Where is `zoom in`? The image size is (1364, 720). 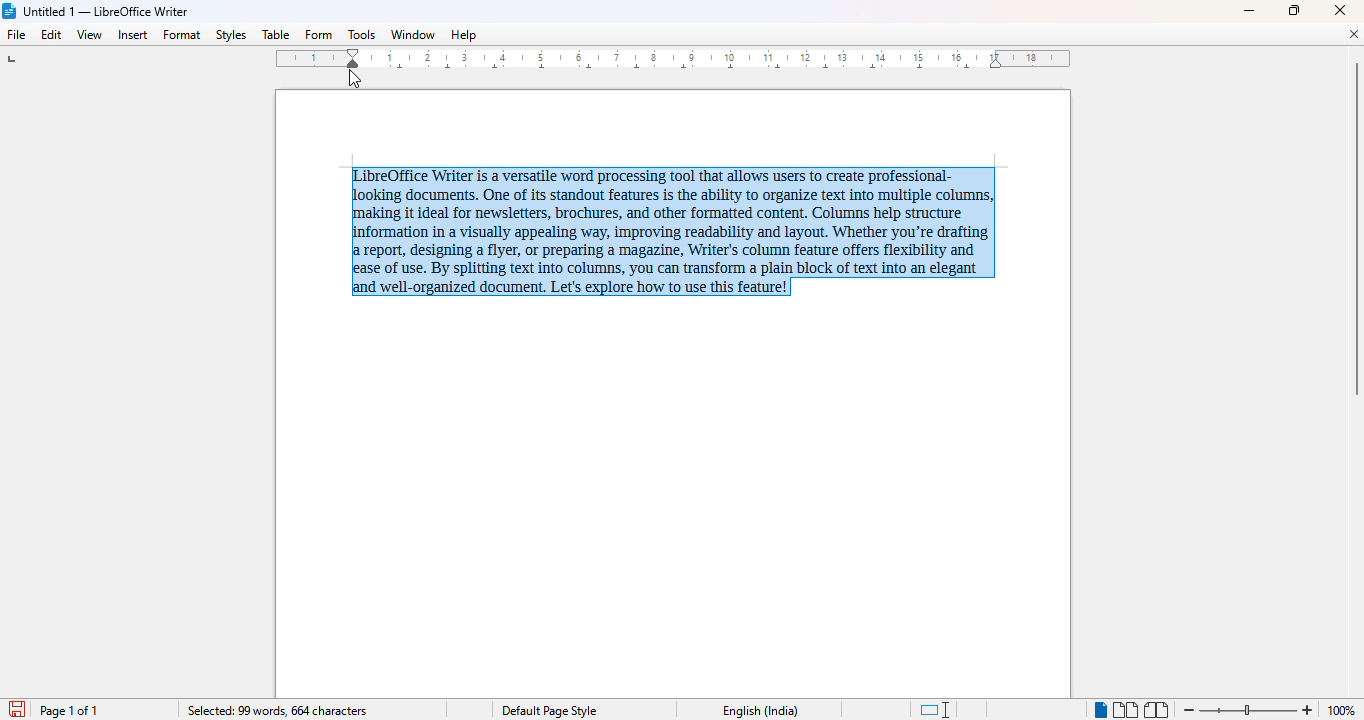 zoom in is located at coordinates (1309, 710).